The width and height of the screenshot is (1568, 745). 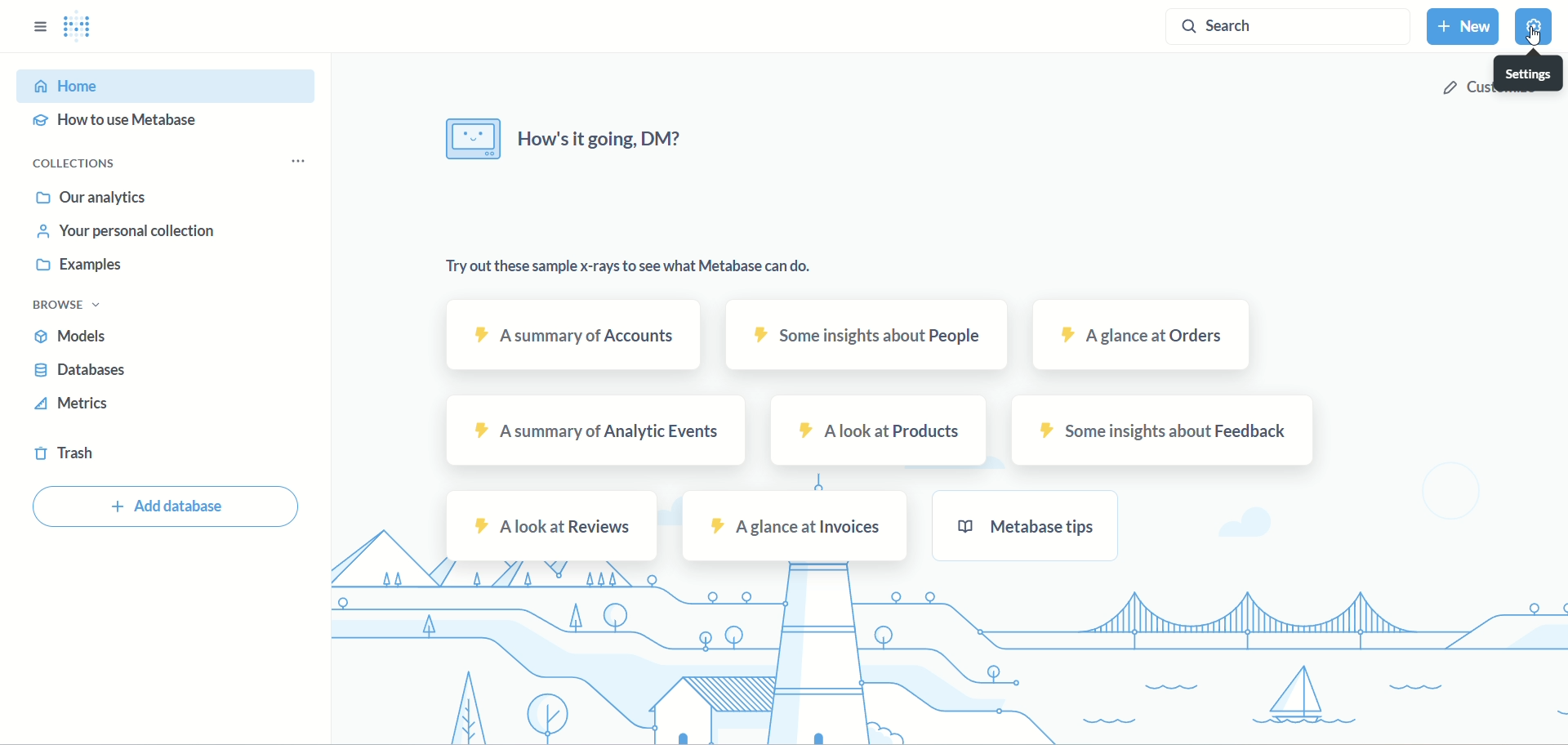 What do you see at coordinates (82, 269) in the screenshot?
I see `examples` at bounding box center [82, 269].